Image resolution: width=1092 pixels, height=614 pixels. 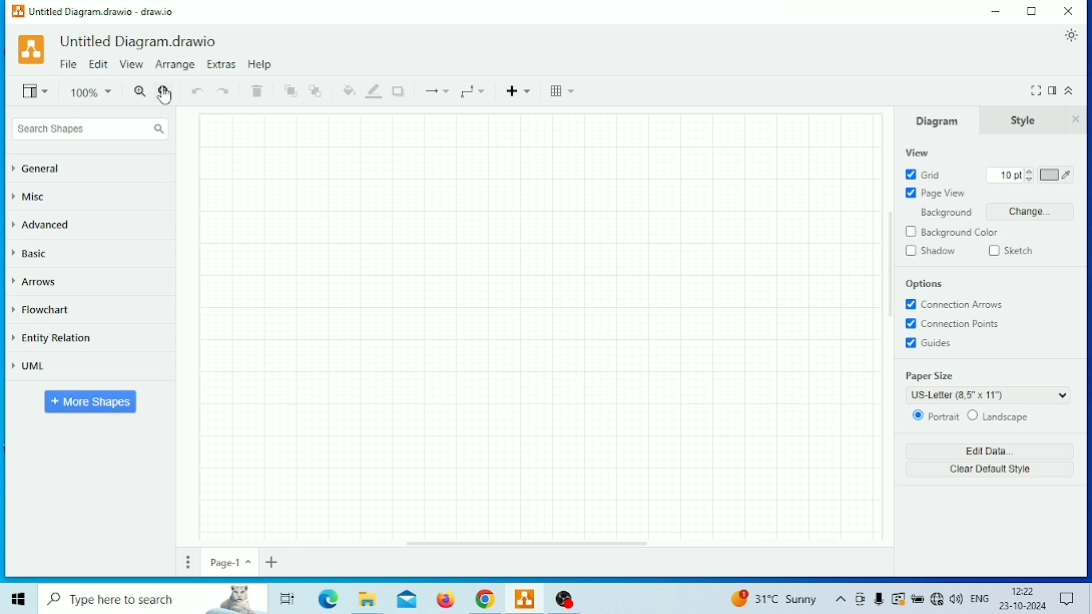 I want to click on File, so click(x=68, y=64).